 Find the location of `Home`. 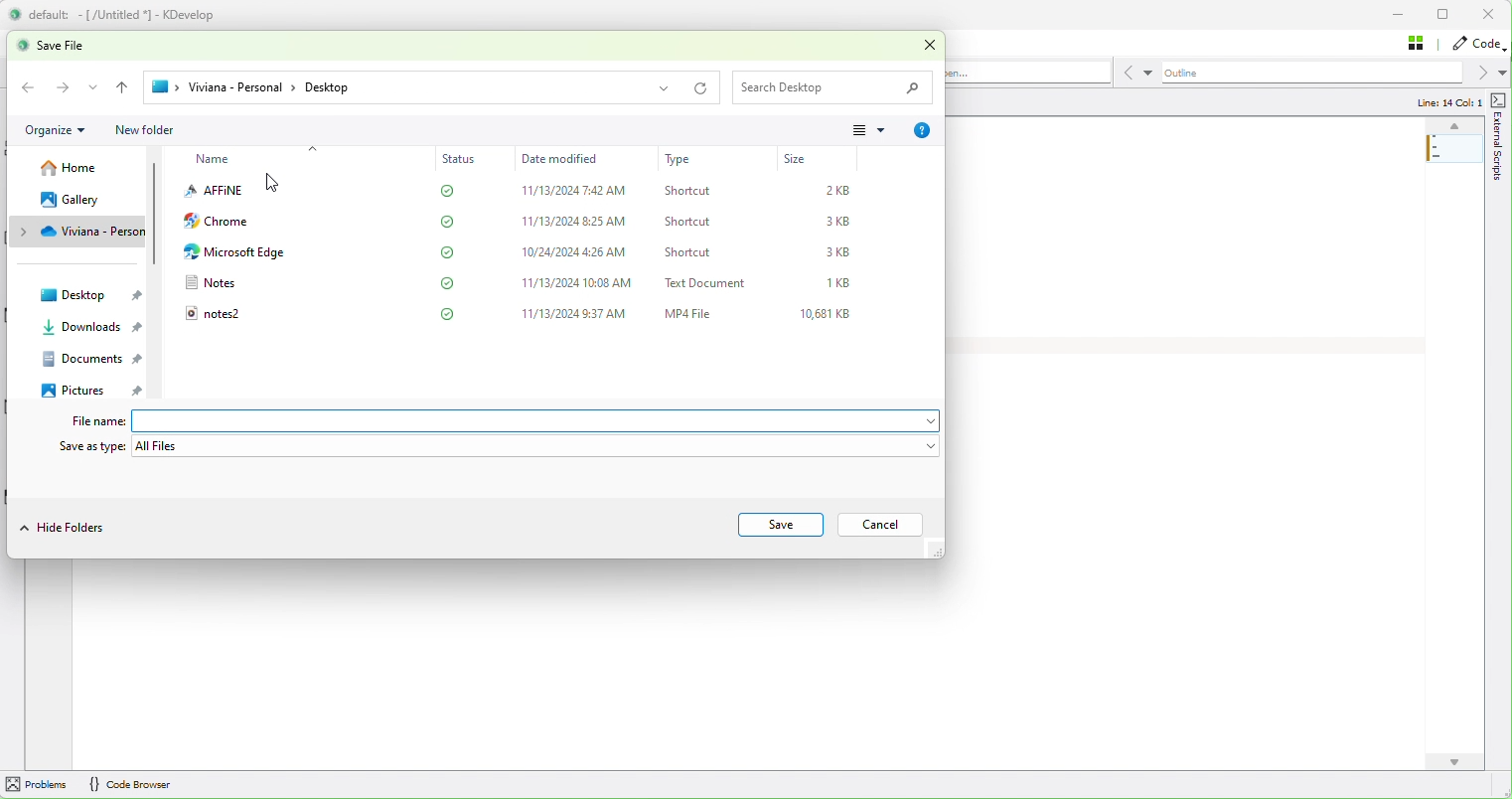

Home is located at coordinates (78, 167).